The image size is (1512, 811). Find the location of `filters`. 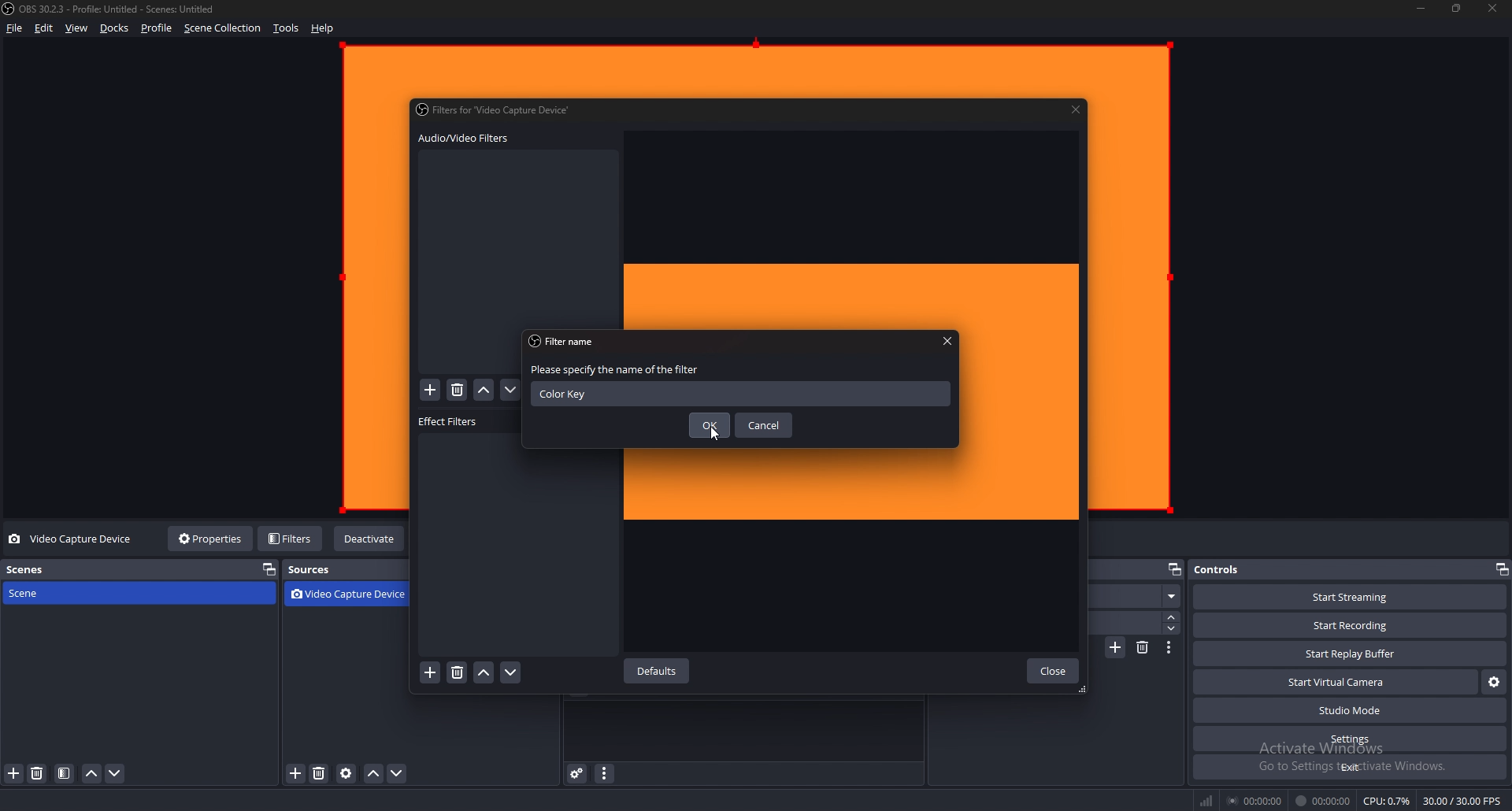

filters is located at coordinates (291, 538).